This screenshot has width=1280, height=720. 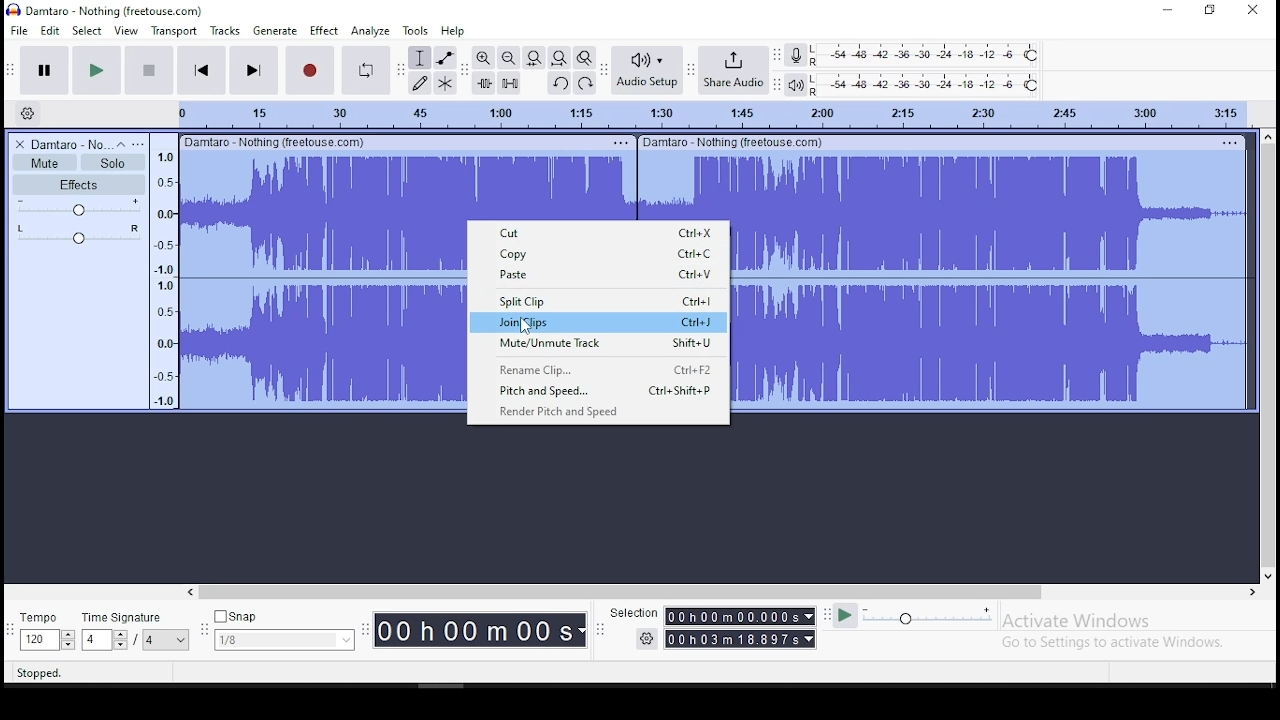 I want to click on record, so click(x=309, y=69).